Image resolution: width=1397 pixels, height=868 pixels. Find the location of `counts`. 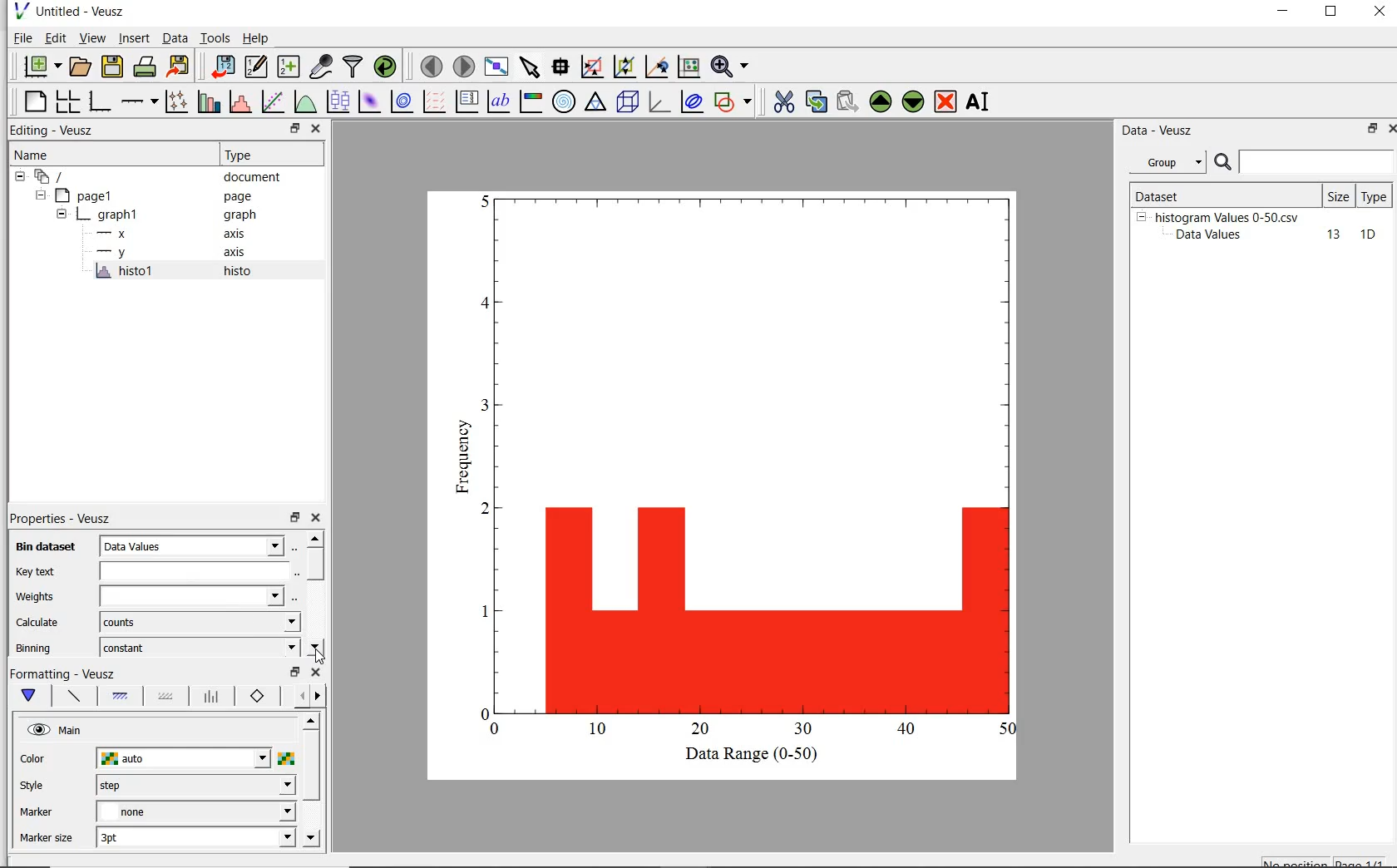

counts is located at coordinates (195, 622).